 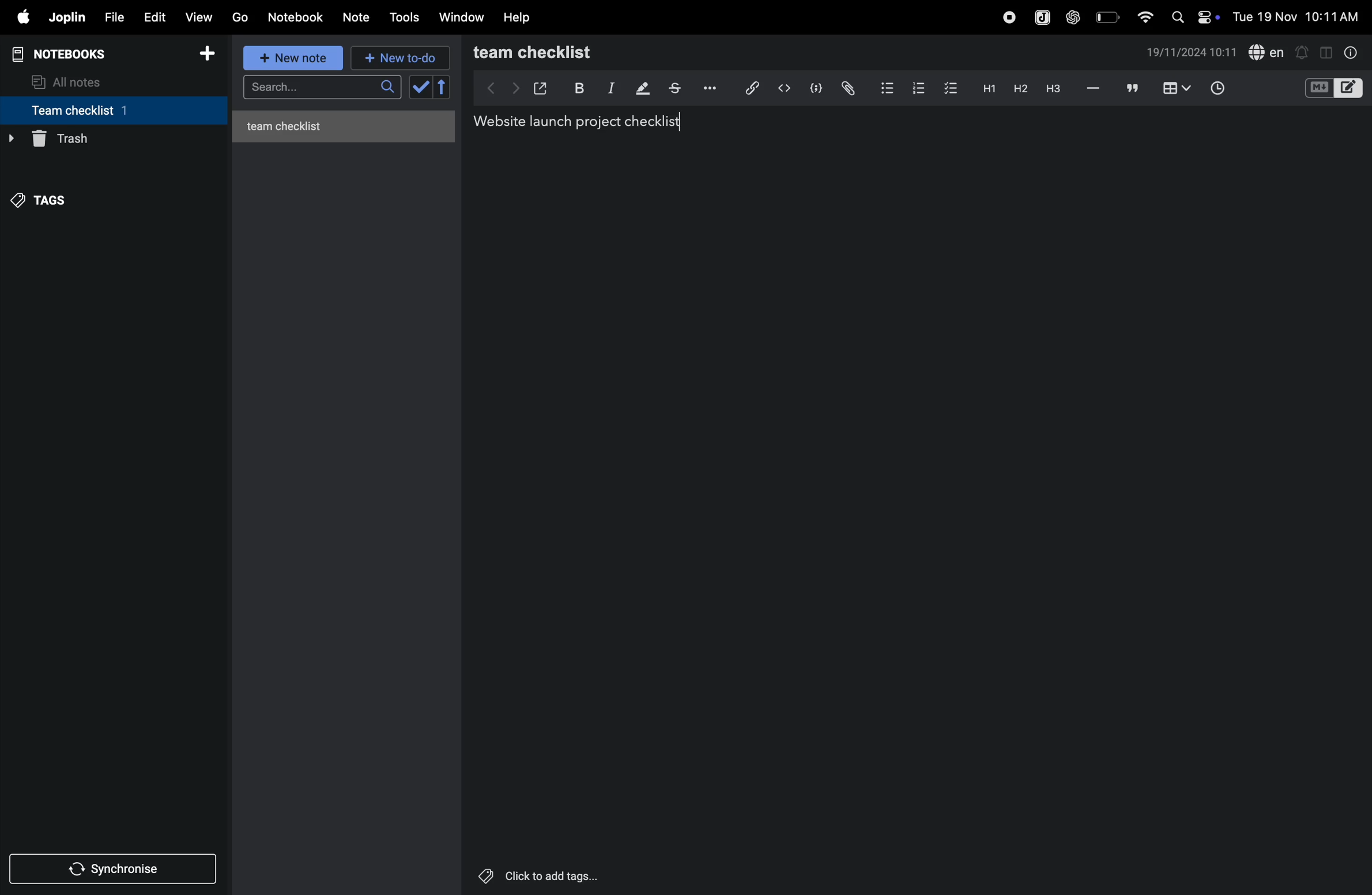 What do you see at coordinates (609, 88) in the screenshot?
I see `itallic` at bounding box center [609, 88].